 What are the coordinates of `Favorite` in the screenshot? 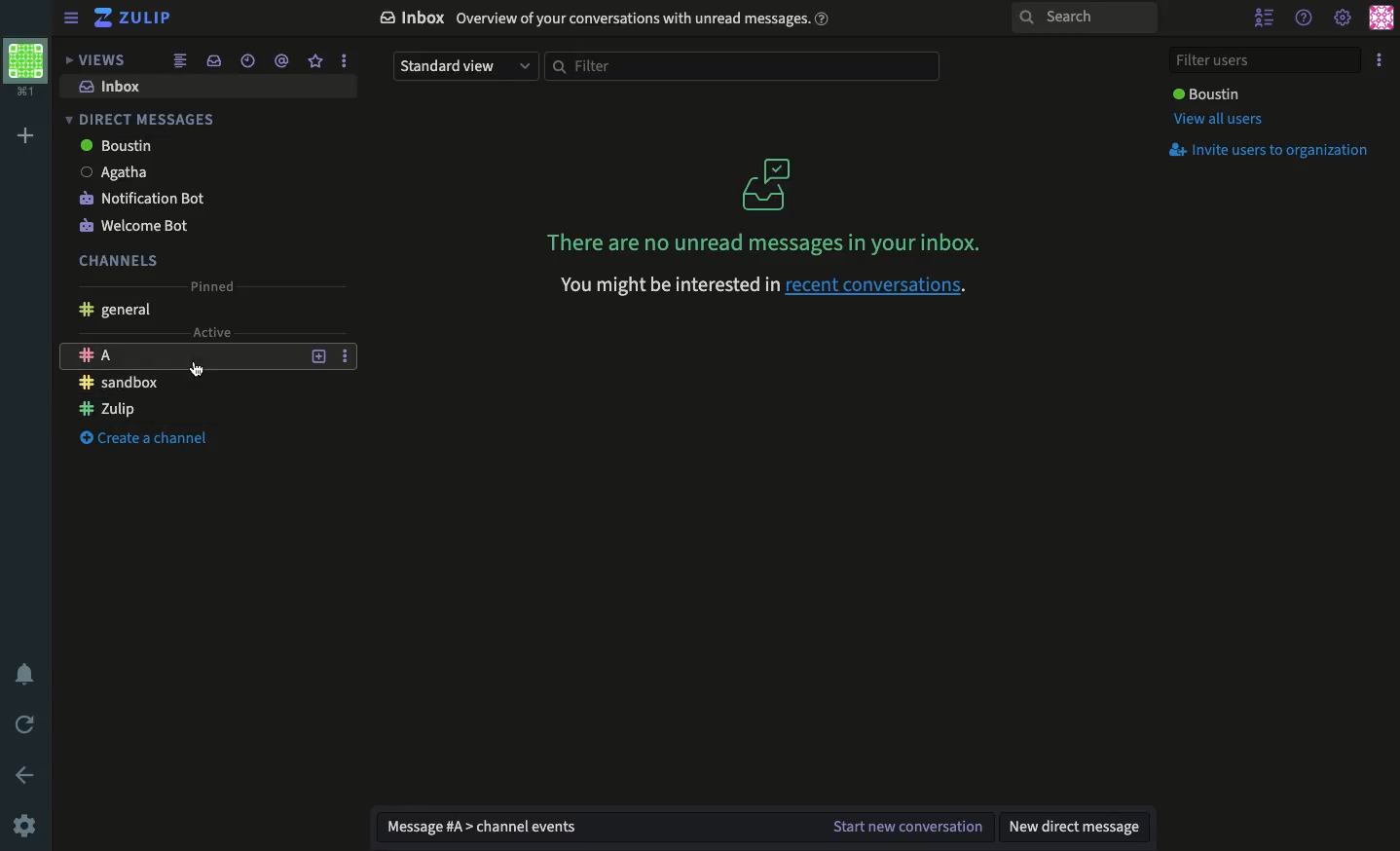 It's located at (315, 61).